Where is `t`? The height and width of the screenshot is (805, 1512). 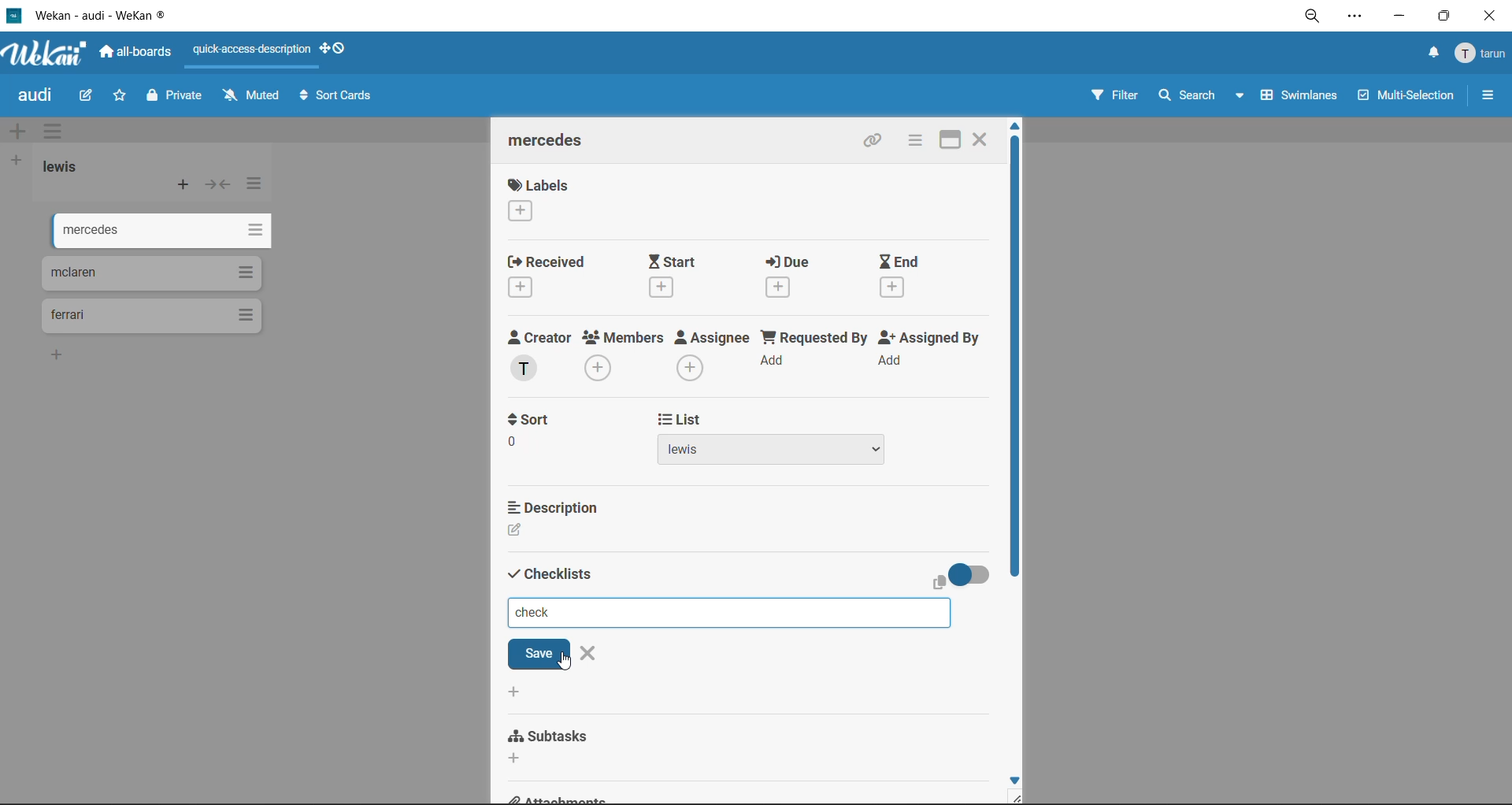 t is located at coordinates (535, 418).